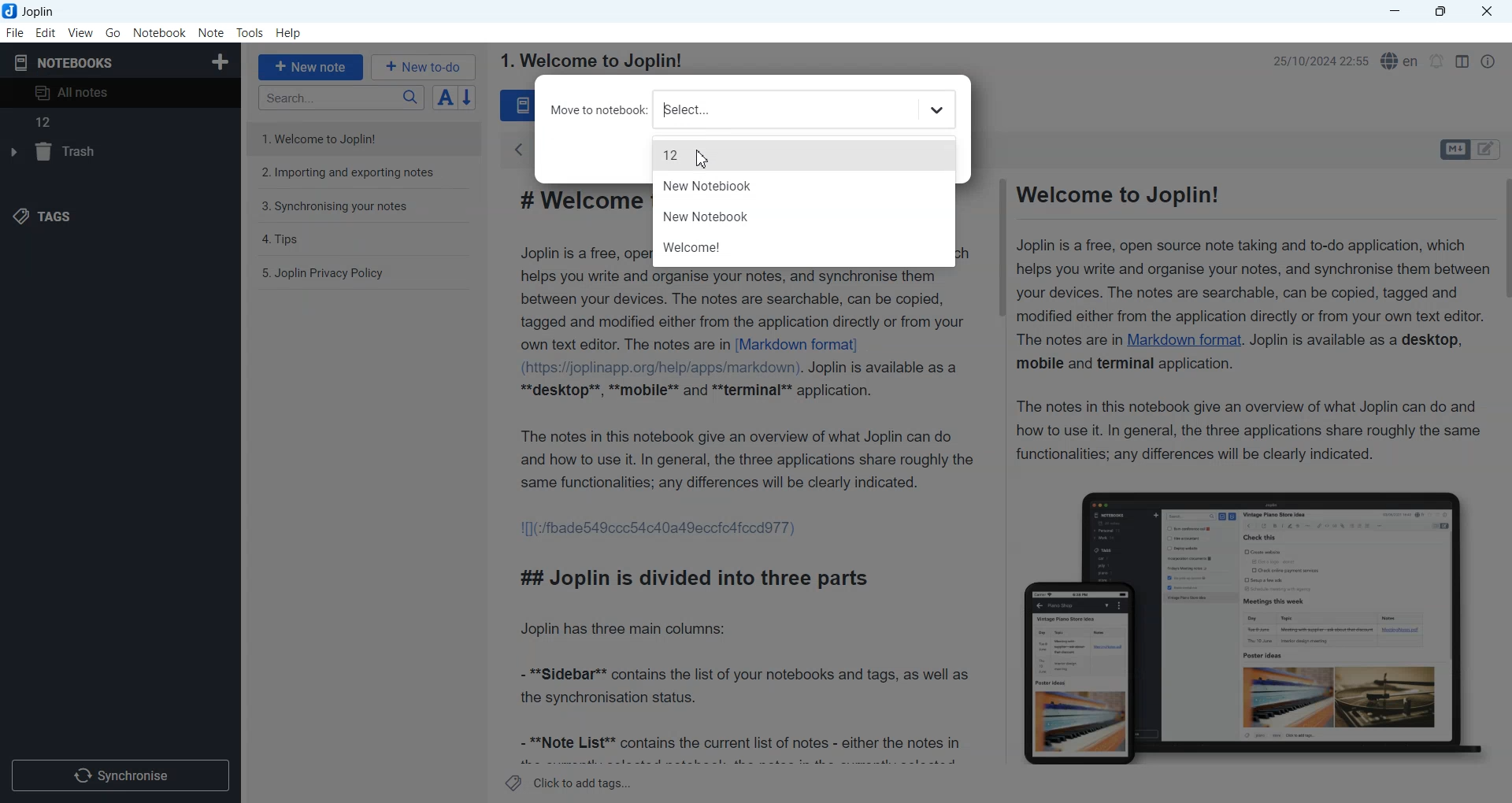  What do you see at coordinates (937, 110) in the screenshot?
I see `Dropdown book for select file` at bounding box center [937, 110].